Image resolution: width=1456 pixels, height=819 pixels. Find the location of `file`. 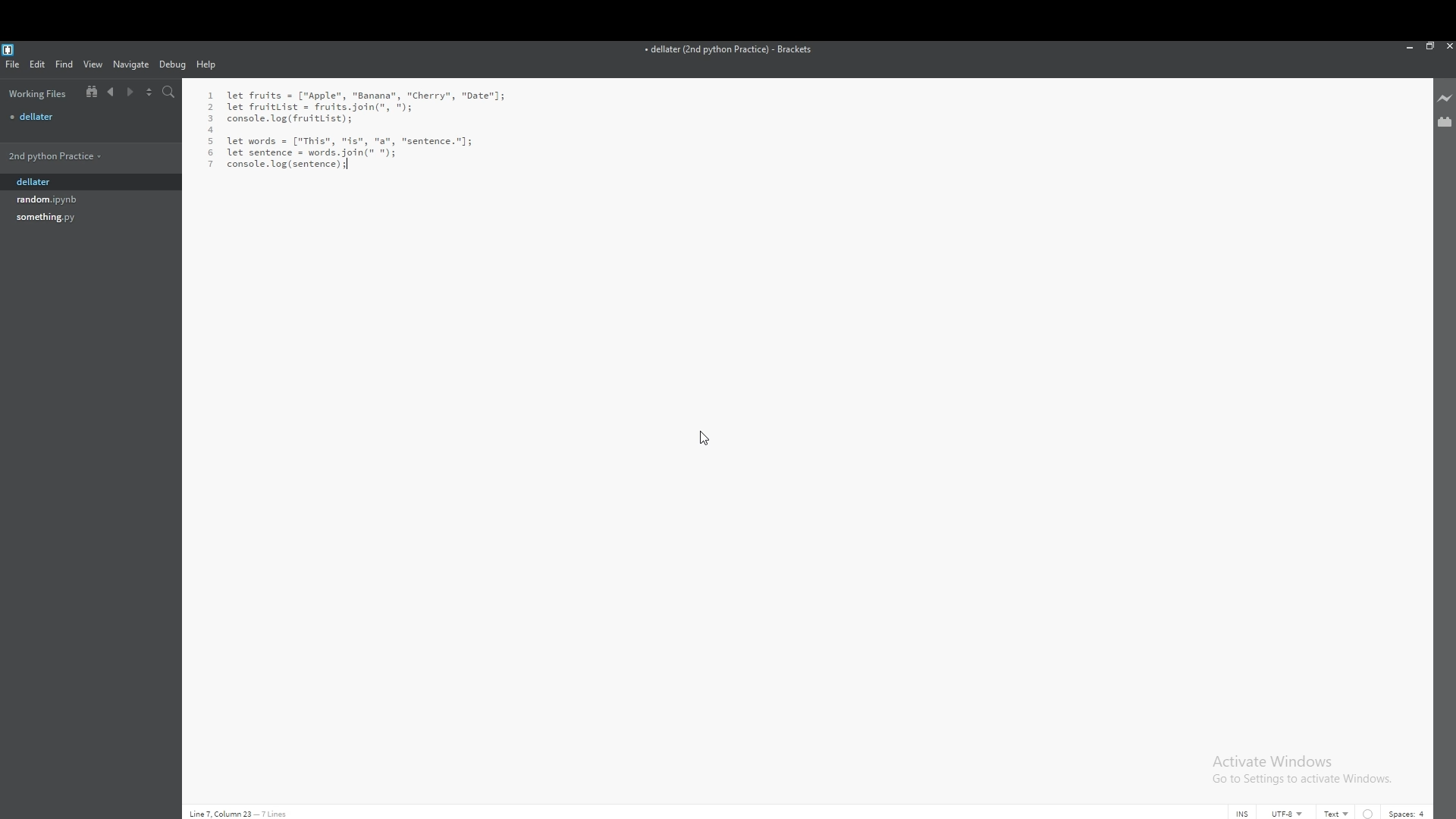

file is located at coordinates (89, 116).